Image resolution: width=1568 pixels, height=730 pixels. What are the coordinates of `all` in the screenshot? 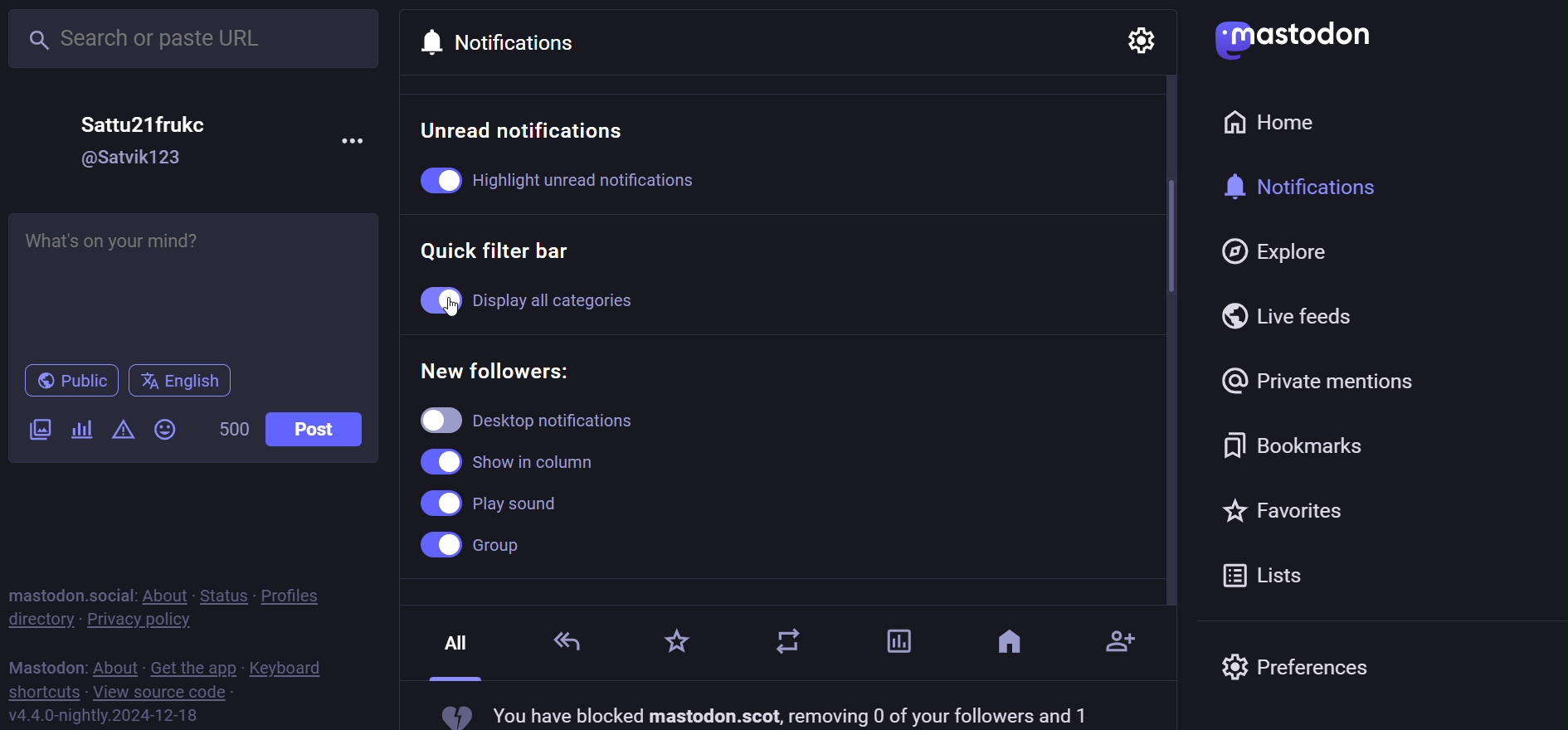 It's located at (455, 652).